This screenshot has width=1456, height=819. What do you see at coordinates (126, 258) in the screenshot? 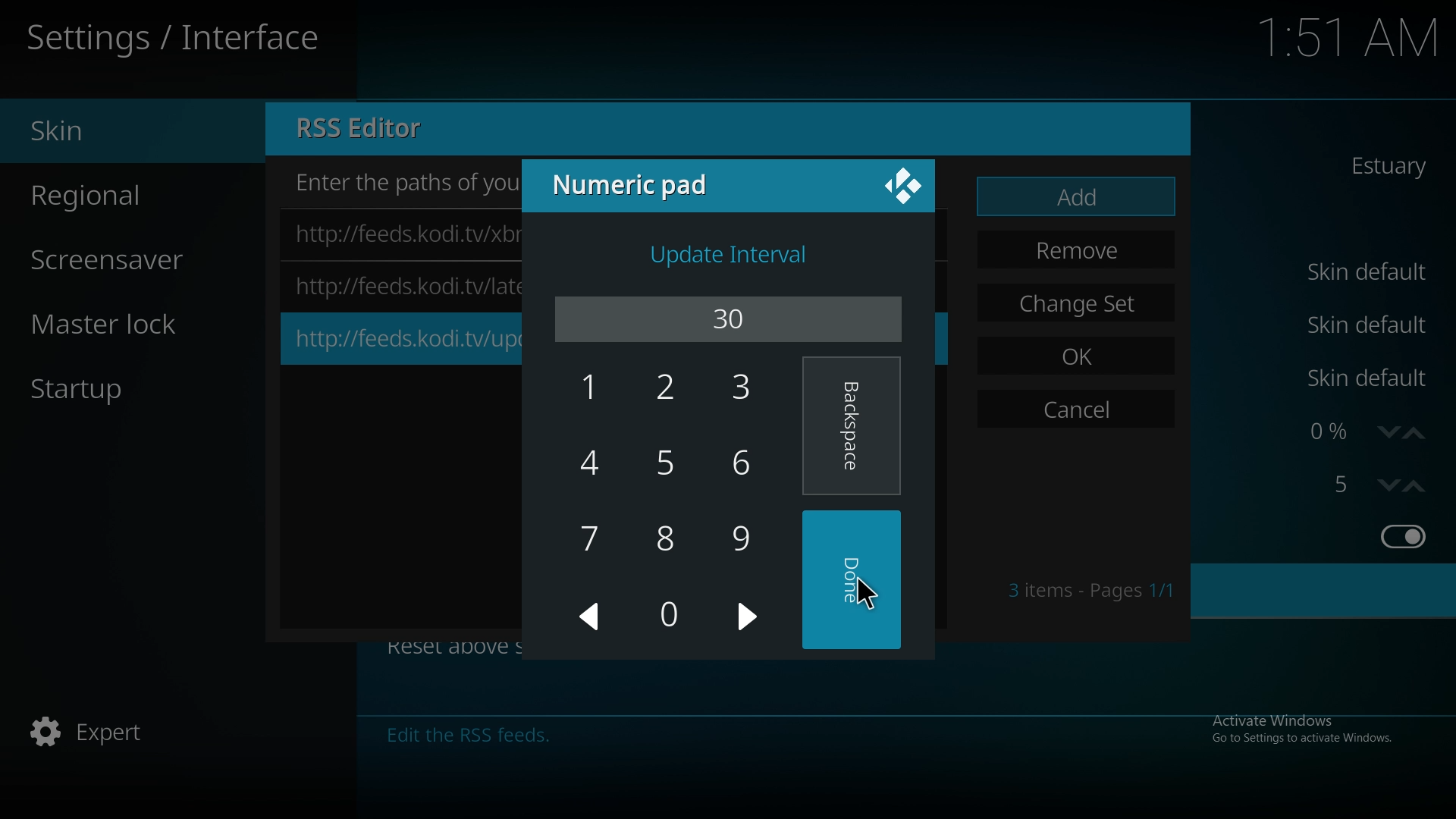
I see `screensaver` at bounding box center [126, 258].